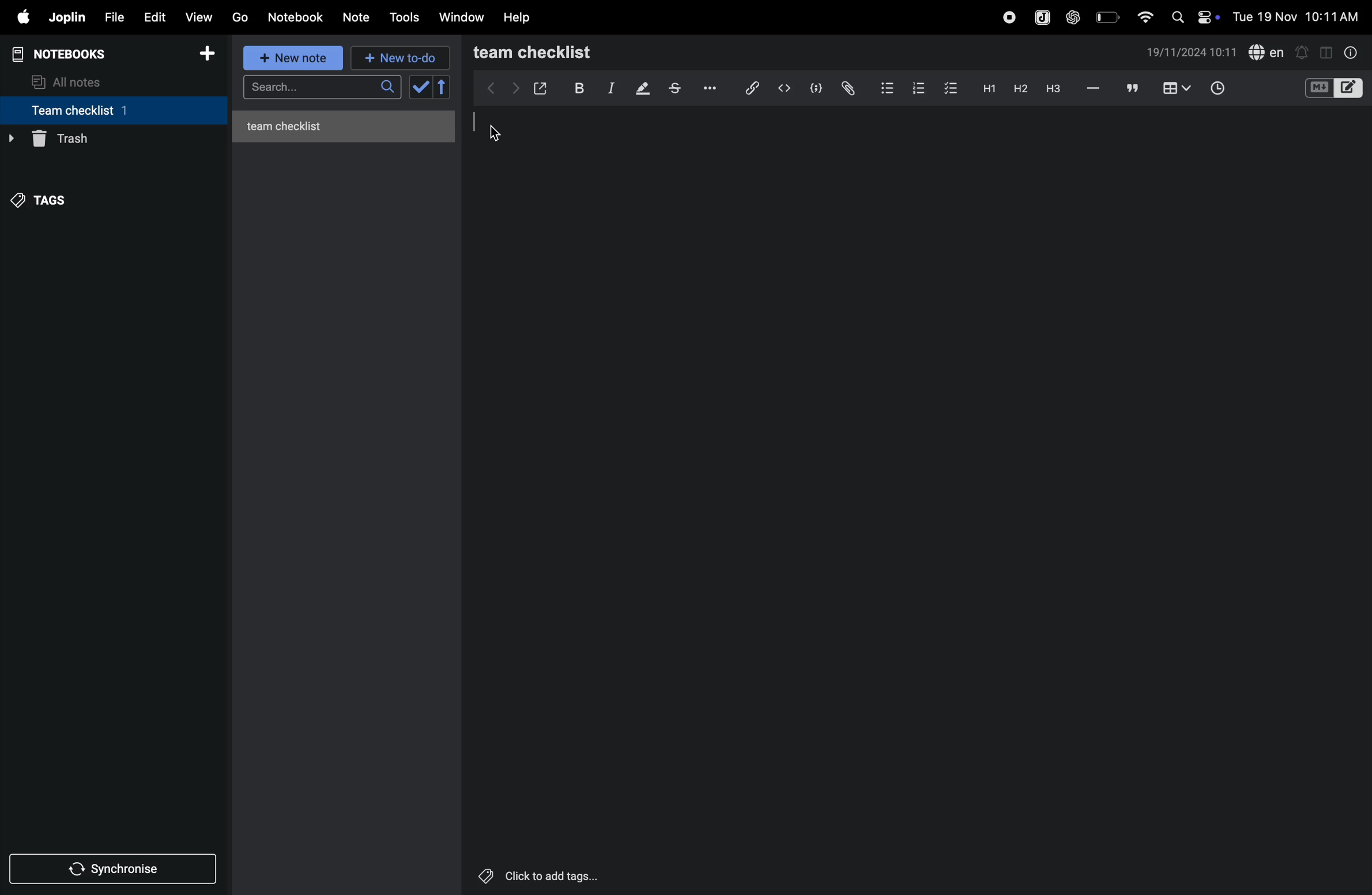 Image resolution: width=1372 pixels, height=895 pixels. I want to click on table, so click(1175, 88).